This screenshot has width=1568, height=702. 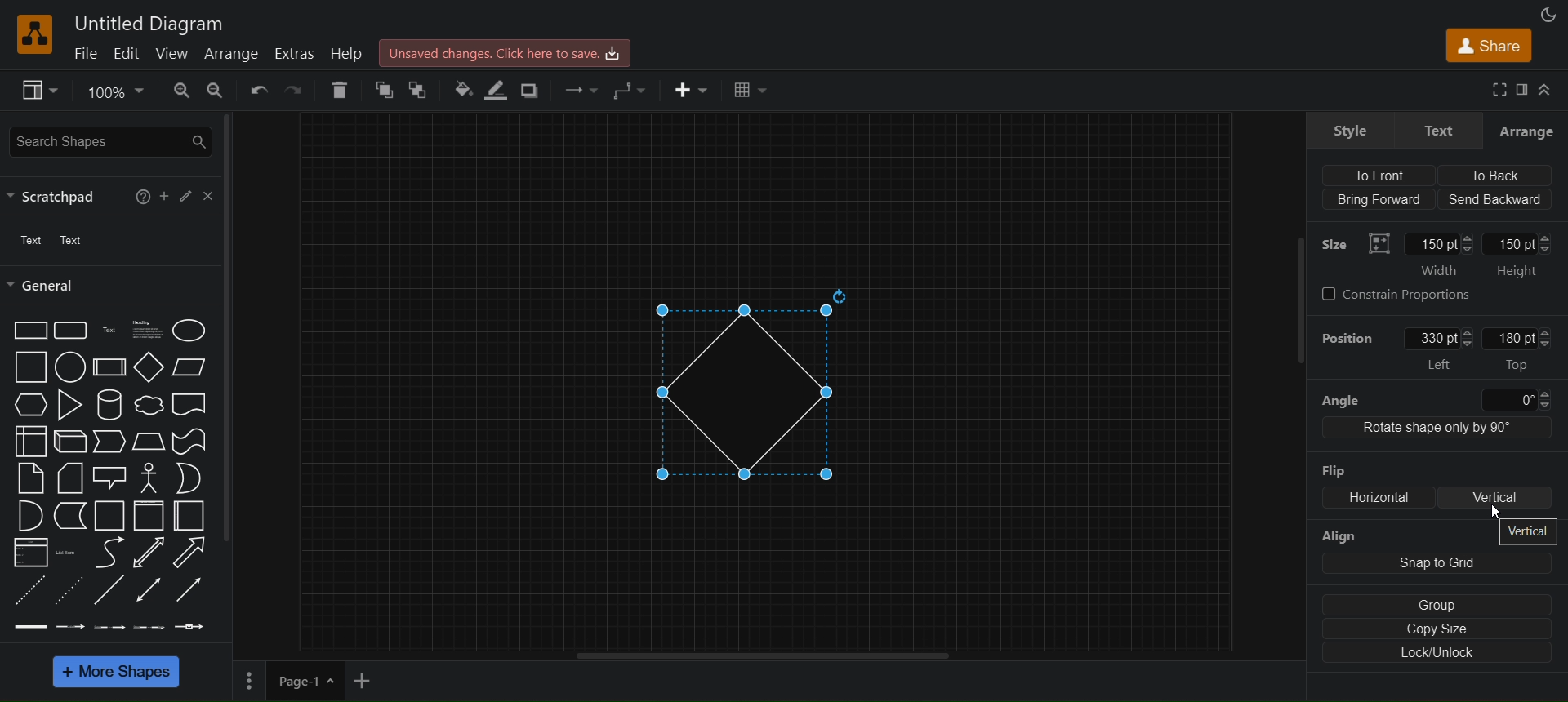 What do you see at coordinates (28, 553) in the screenshot?
I see `list` at bounding box center [28, 553].